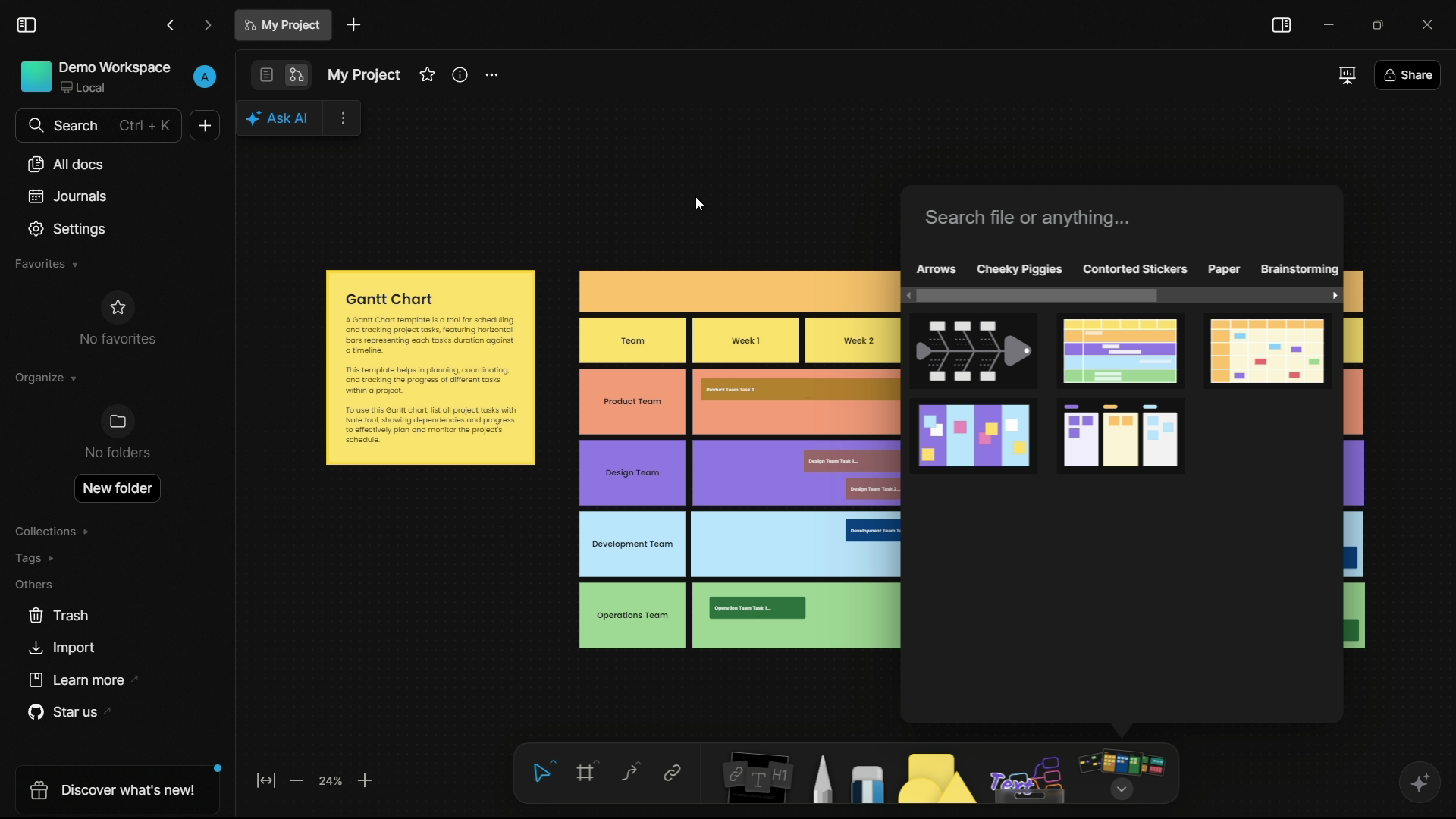 The height and width of the screenshot is (819, 1456). What do you see at coordinates (1417, 781) in the screenshot?
I see `ai assistant` at bounding box center [1417, 781].